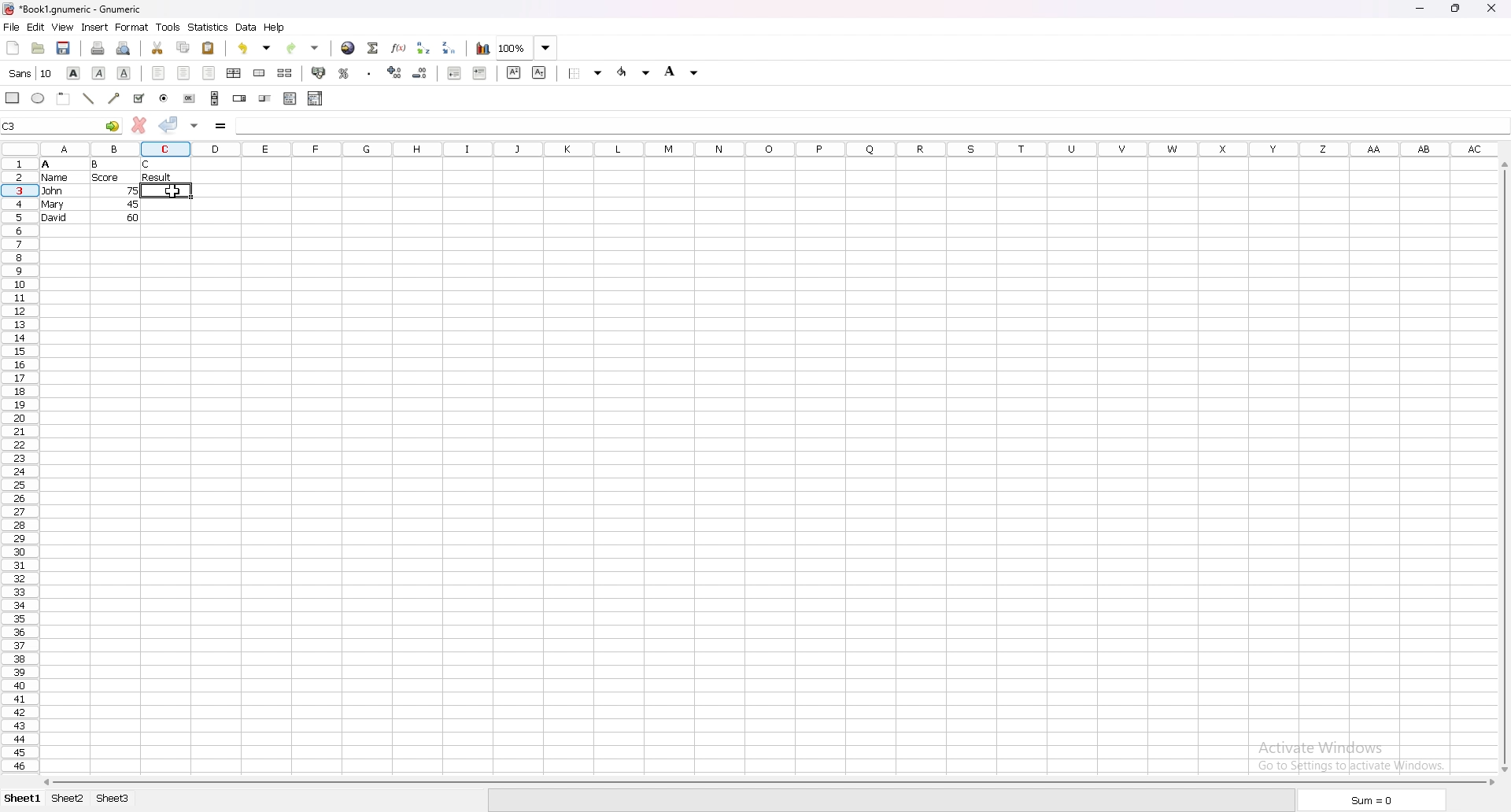  What do you see at coordinates (164, 98) in the screenshot?
I see `radio button` at bounding box center [164, 98].